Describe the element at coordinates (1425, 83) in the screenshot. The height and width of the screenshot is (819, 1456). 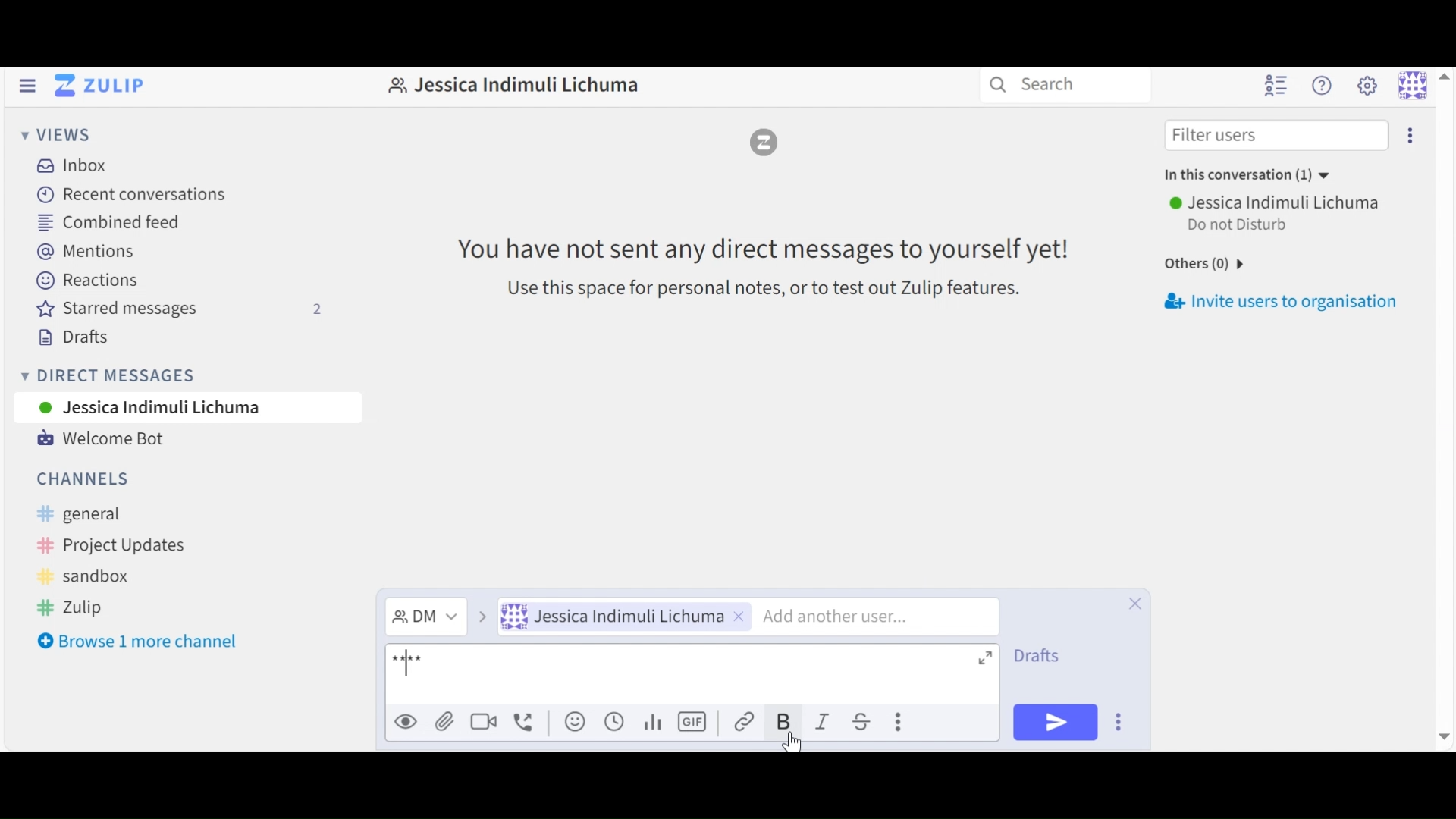
I see `Personal menu` at that location.